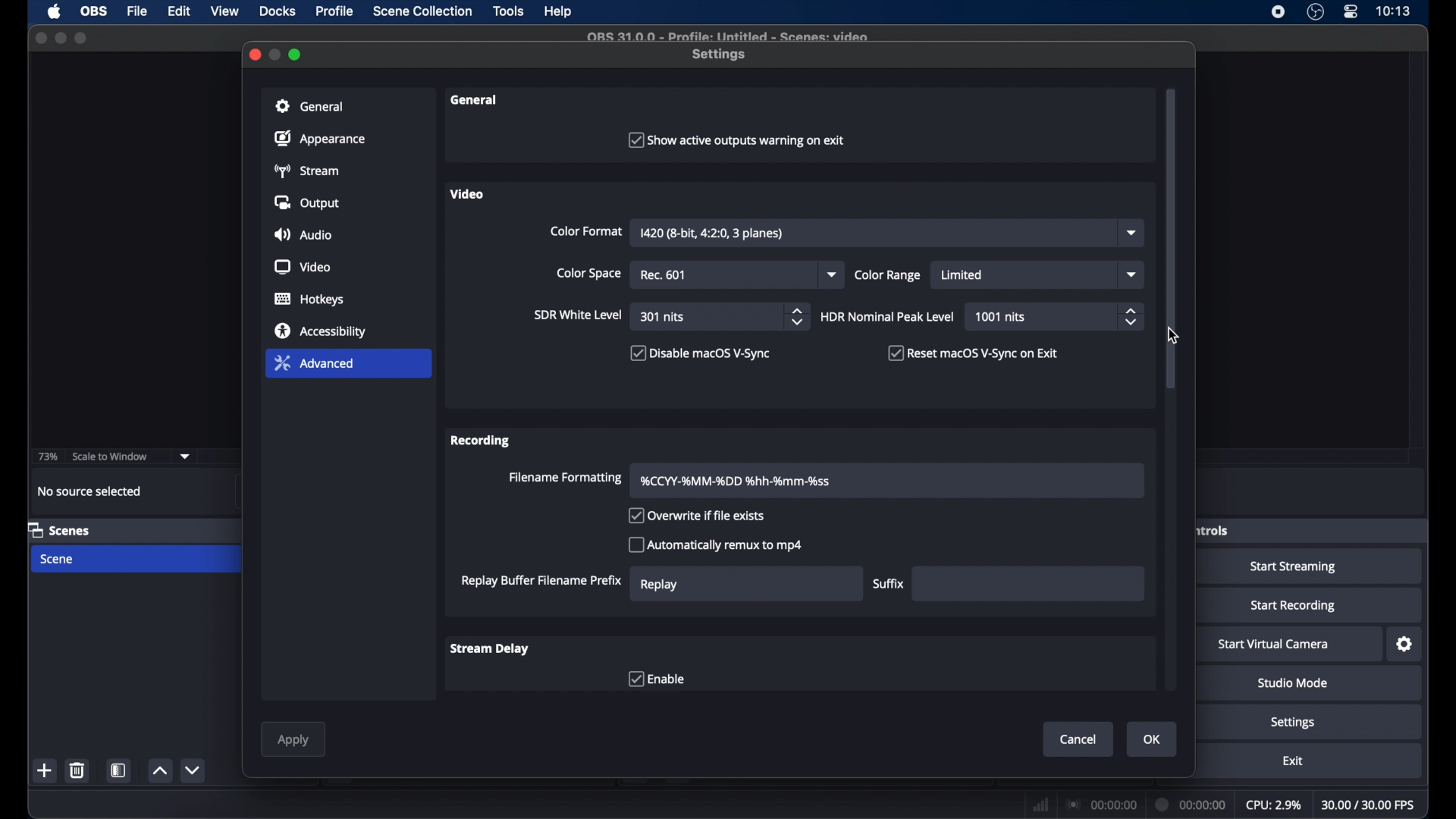 This screenshot has height=819, width=1456. What do you see at coordinates (738, 481) in the screenshot?
I see `filename` at bounding box center [738, 481].